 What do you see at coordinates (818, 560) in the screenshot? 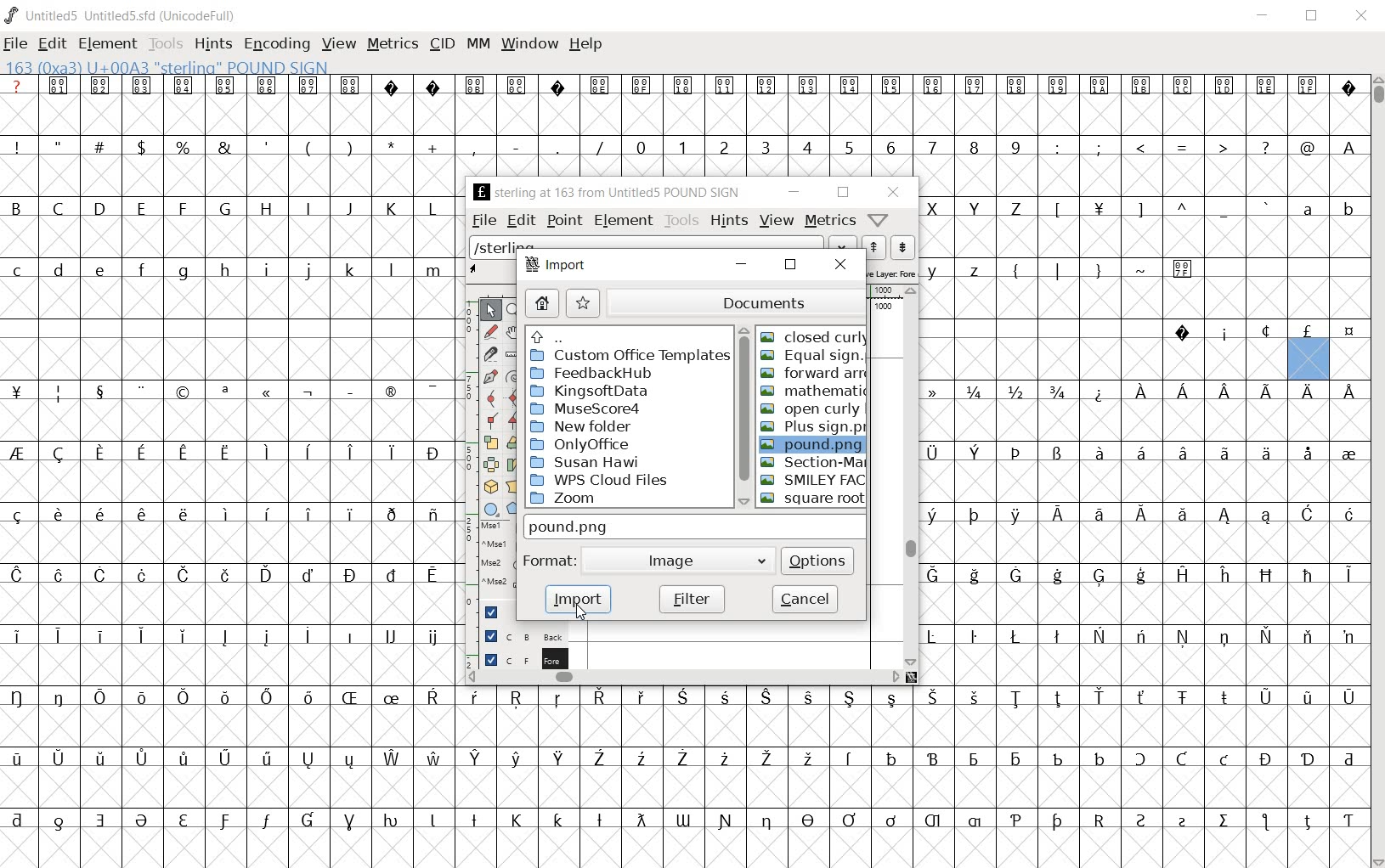
I see `options` at bounding box center [818, 560].